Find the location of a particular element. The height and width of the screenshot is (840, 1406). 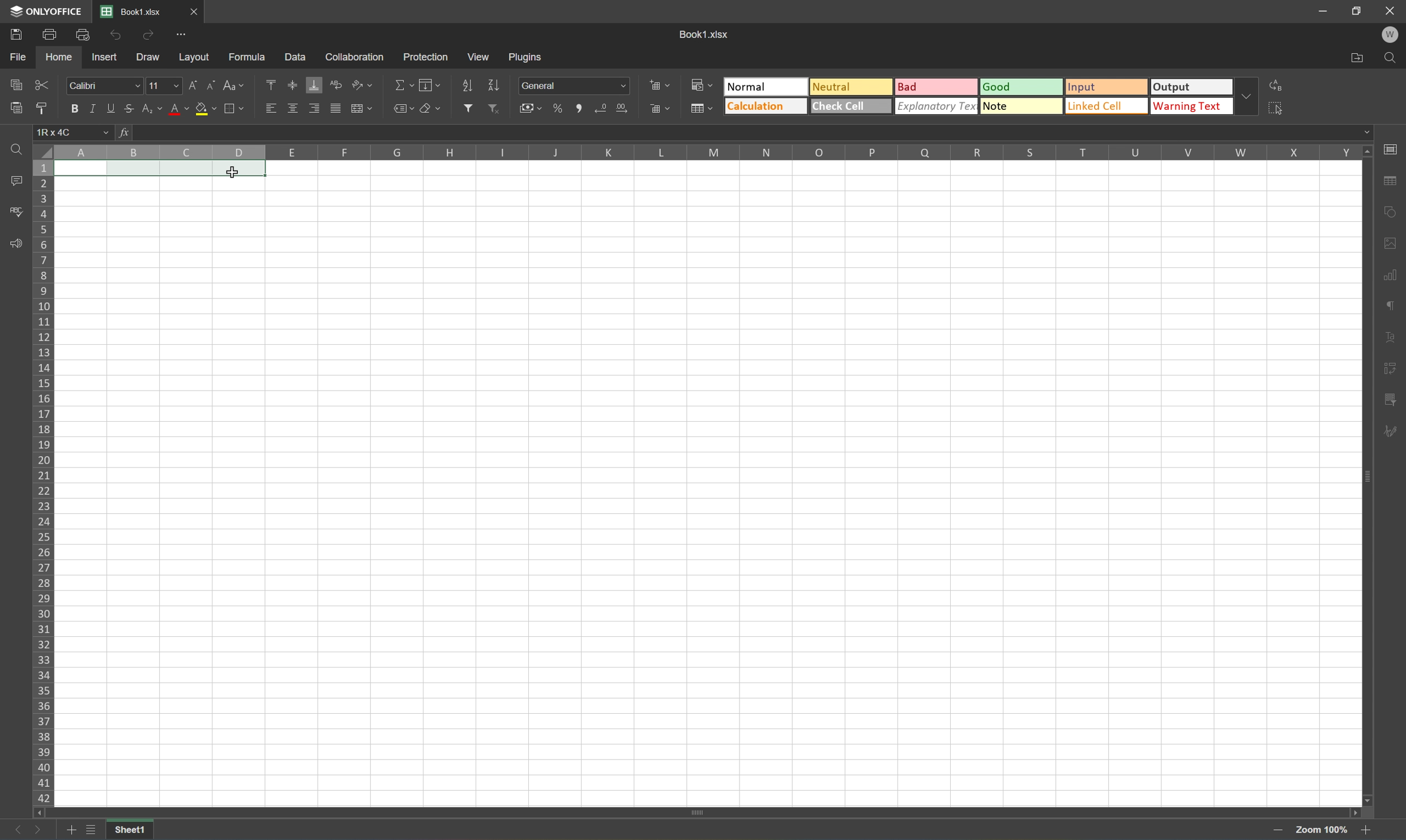

Output is located at coordinates (1195, 87).